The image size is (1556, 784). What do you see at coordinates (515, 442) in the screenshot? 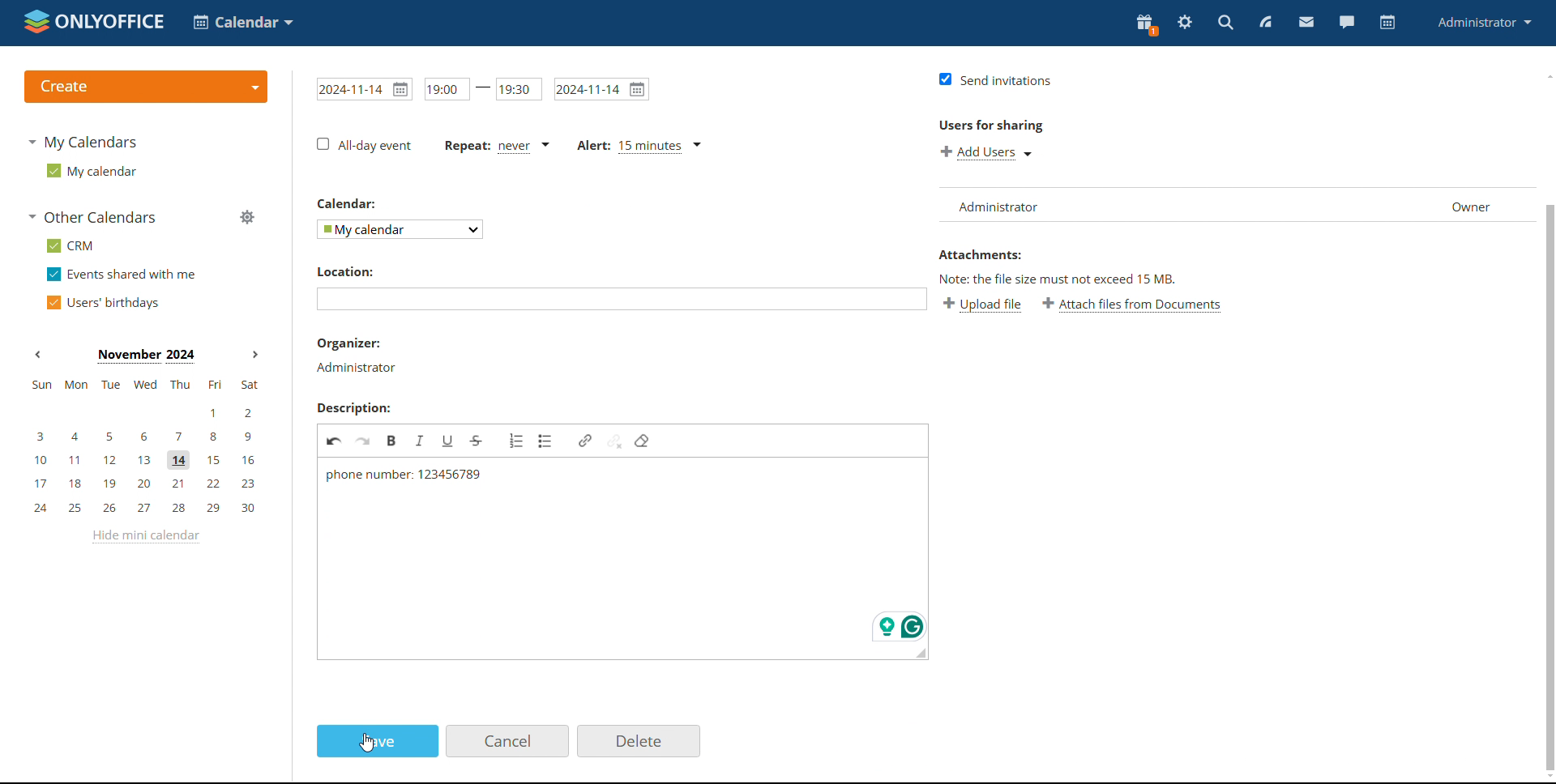
I see `numbered list` at bounding box center [515, 442].